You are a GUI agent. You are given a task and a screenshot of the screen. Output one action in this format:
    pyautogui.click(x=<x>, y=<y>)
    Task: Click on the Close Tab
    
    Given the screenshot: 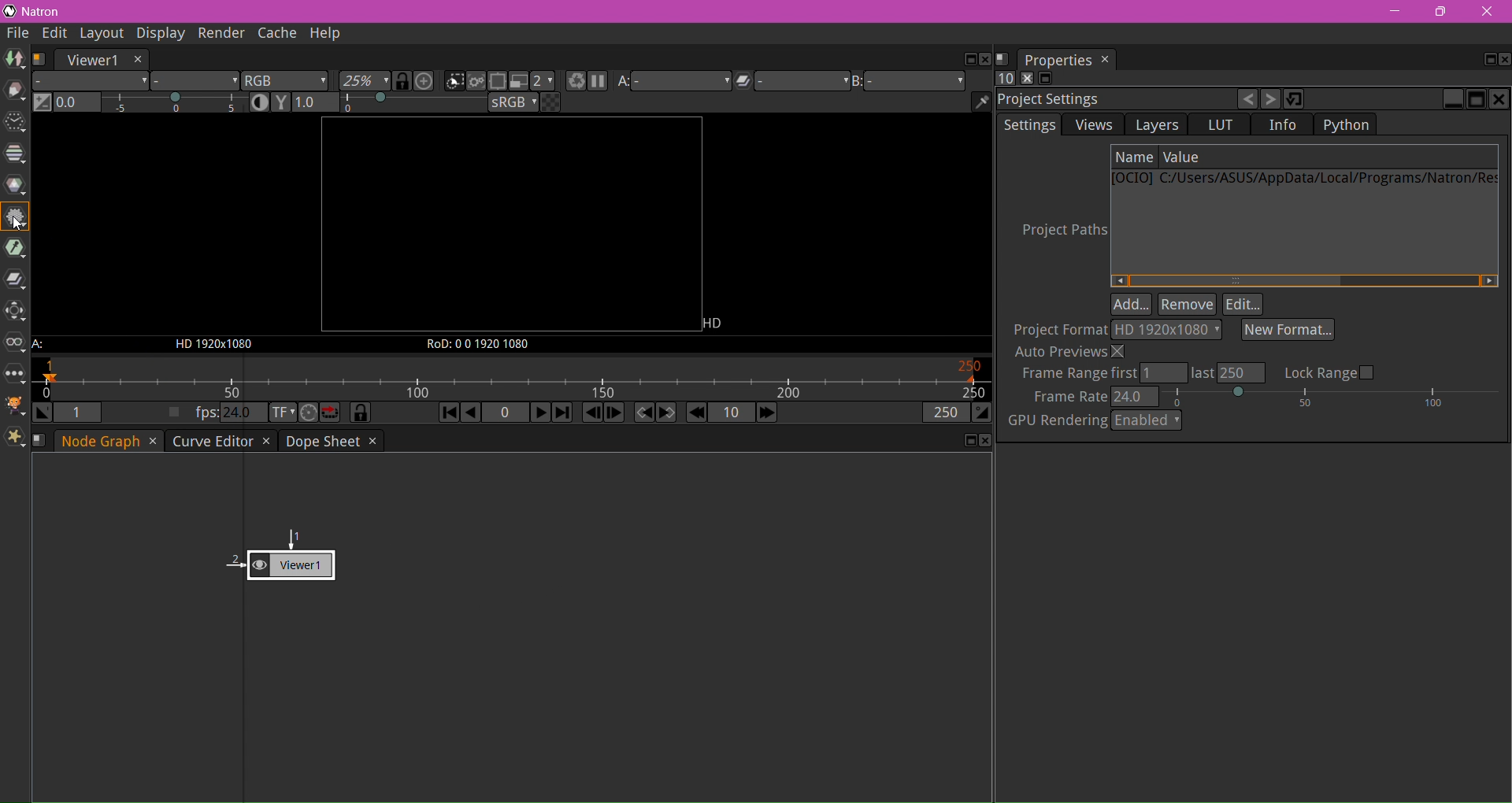 What is the action you would take?
    pyautogui.click(x=152, y=442)
    